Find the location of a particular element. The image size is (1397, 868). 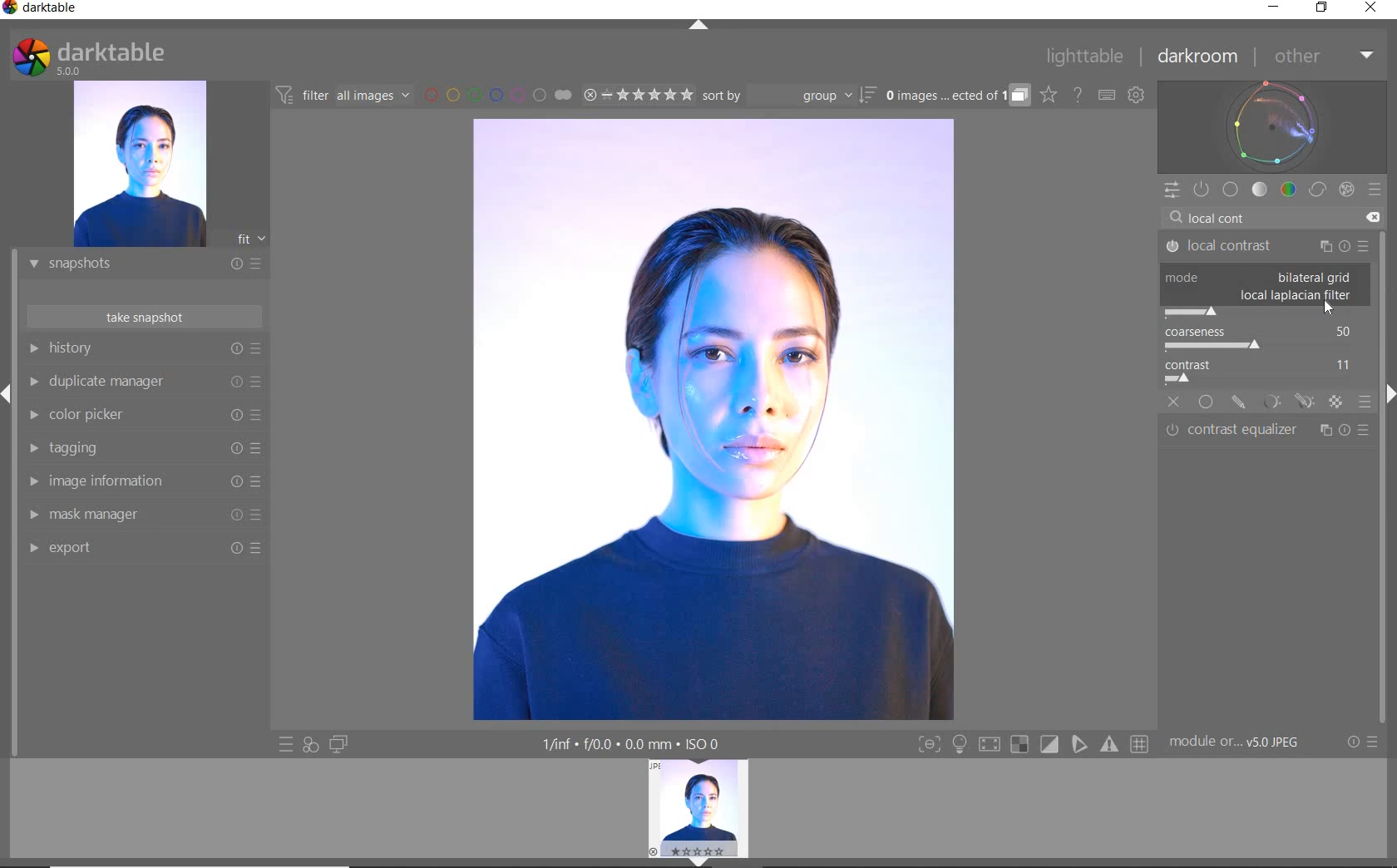

EXPAND/COLLAPSE is located at coordinates (704, 861).